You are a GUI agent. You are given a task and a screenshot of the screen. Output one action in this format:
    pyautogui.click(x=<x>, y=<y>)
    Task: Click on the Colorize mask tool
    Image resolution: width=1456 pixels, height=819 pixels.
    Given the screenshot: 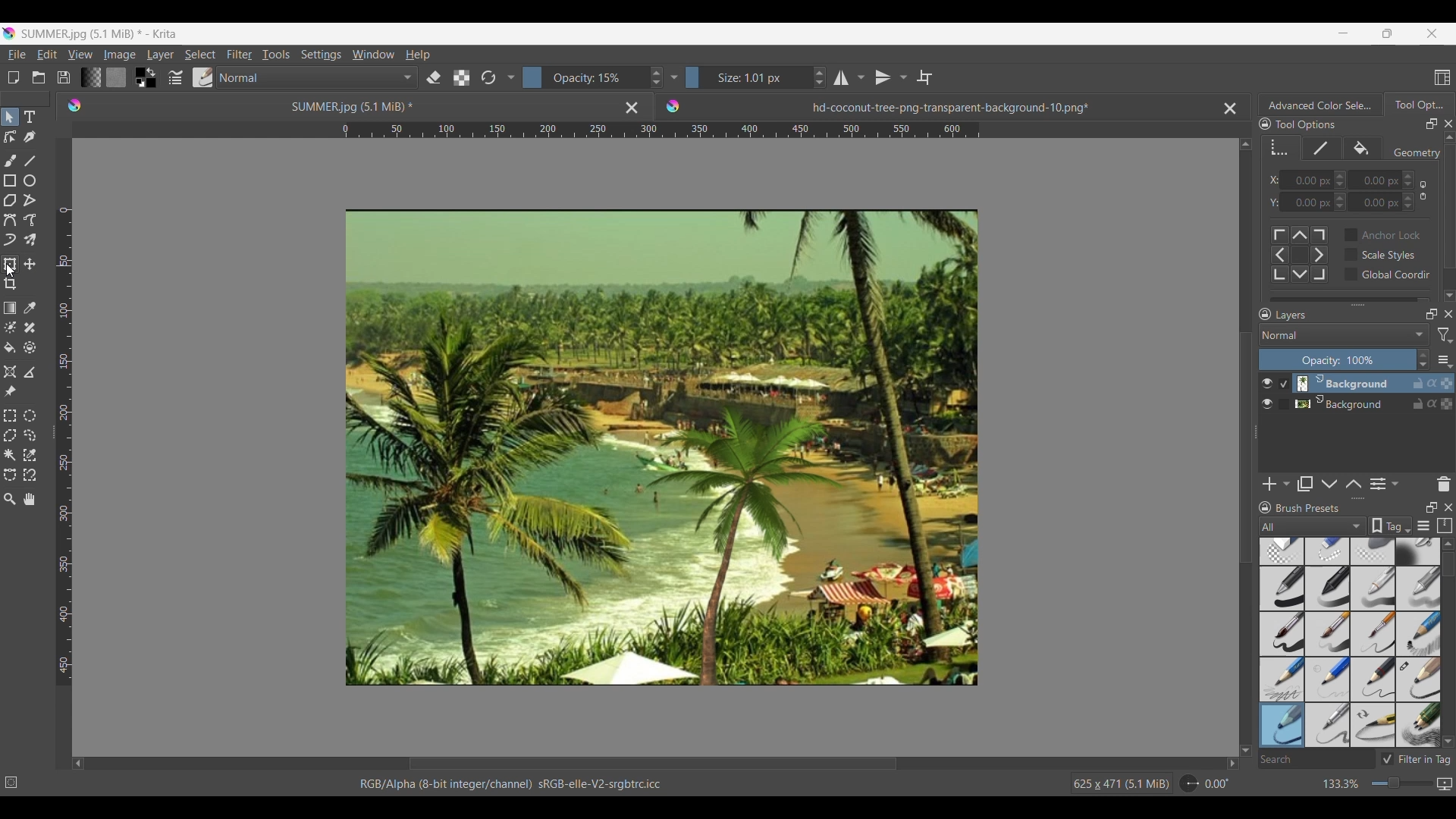 What is the action you would take?
    pyautogui.click(x=11, y=327)
    